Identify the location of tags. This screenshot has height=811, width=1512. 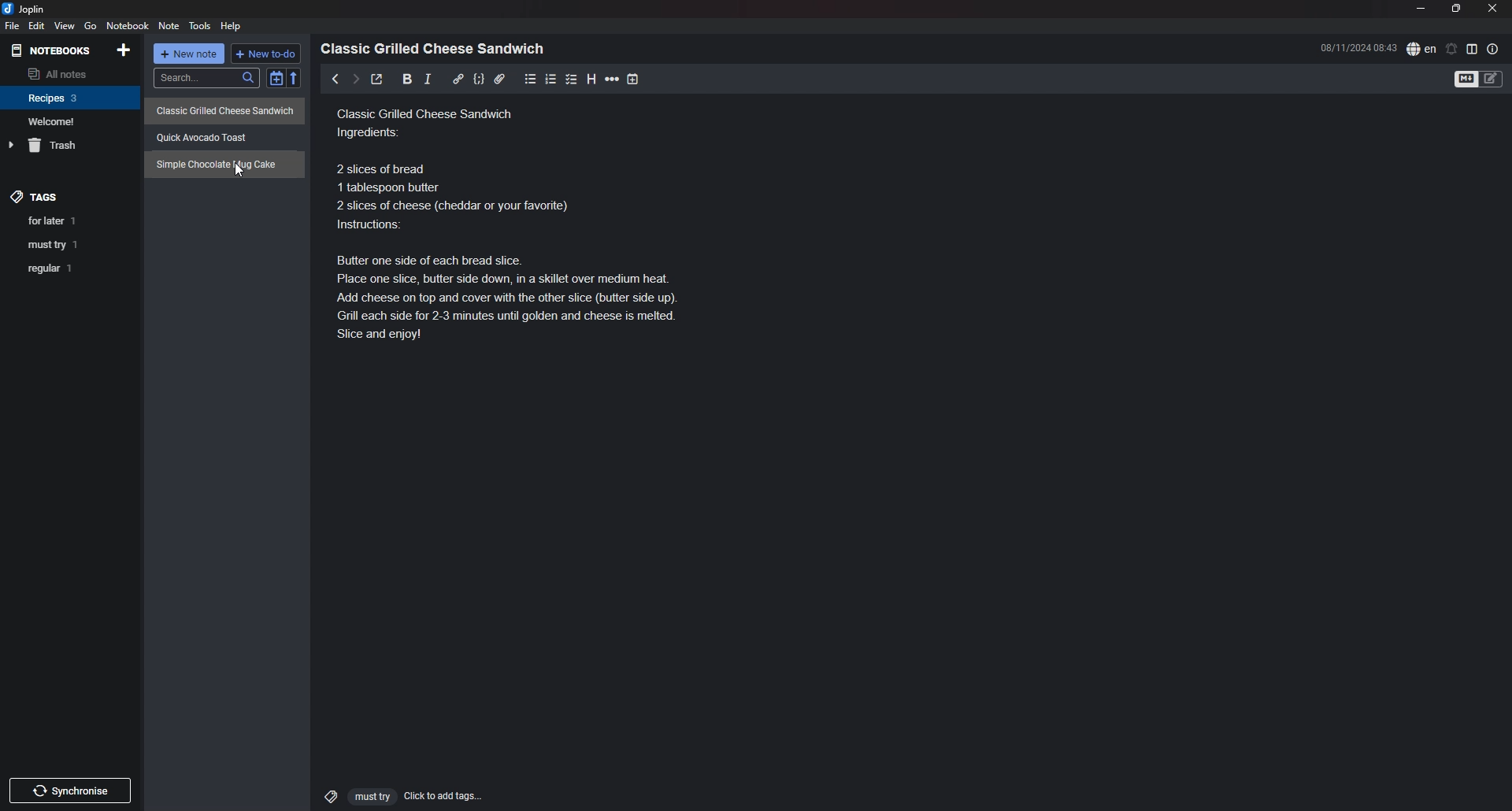
(36, 192).